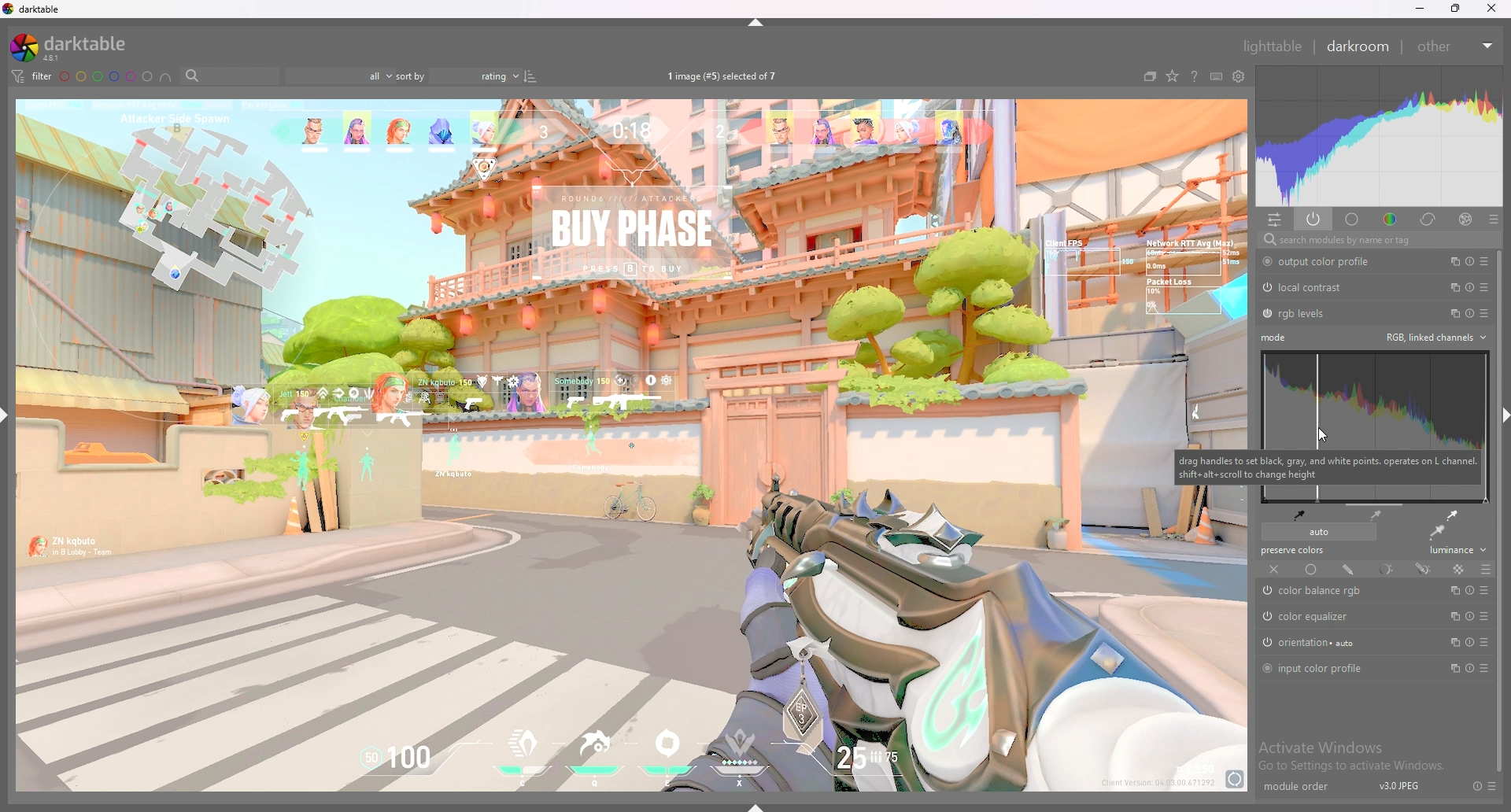  I want to click on quick access panel, so click(1276, 220).